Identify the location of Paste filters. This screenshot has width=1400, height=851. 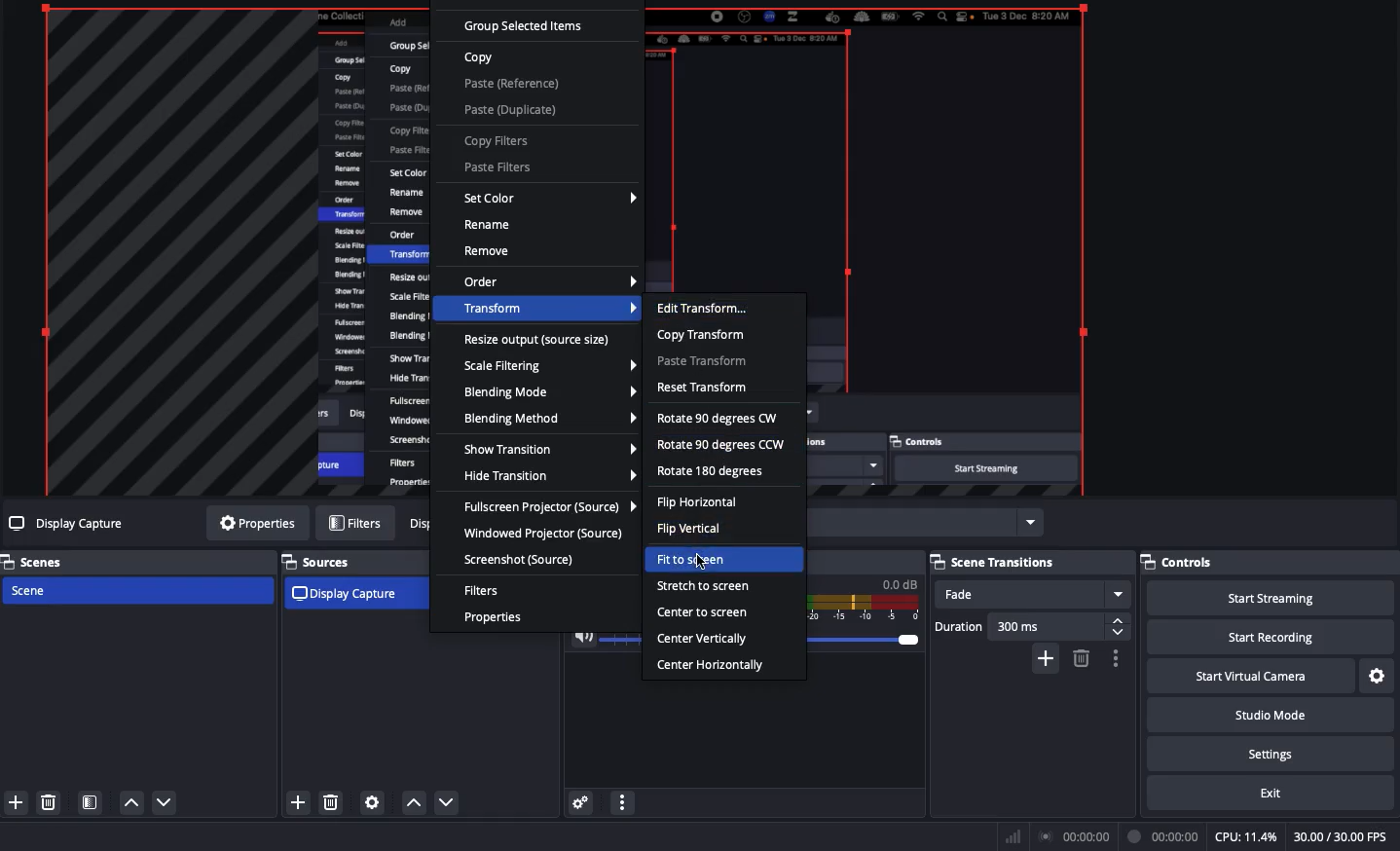
(496, 167).